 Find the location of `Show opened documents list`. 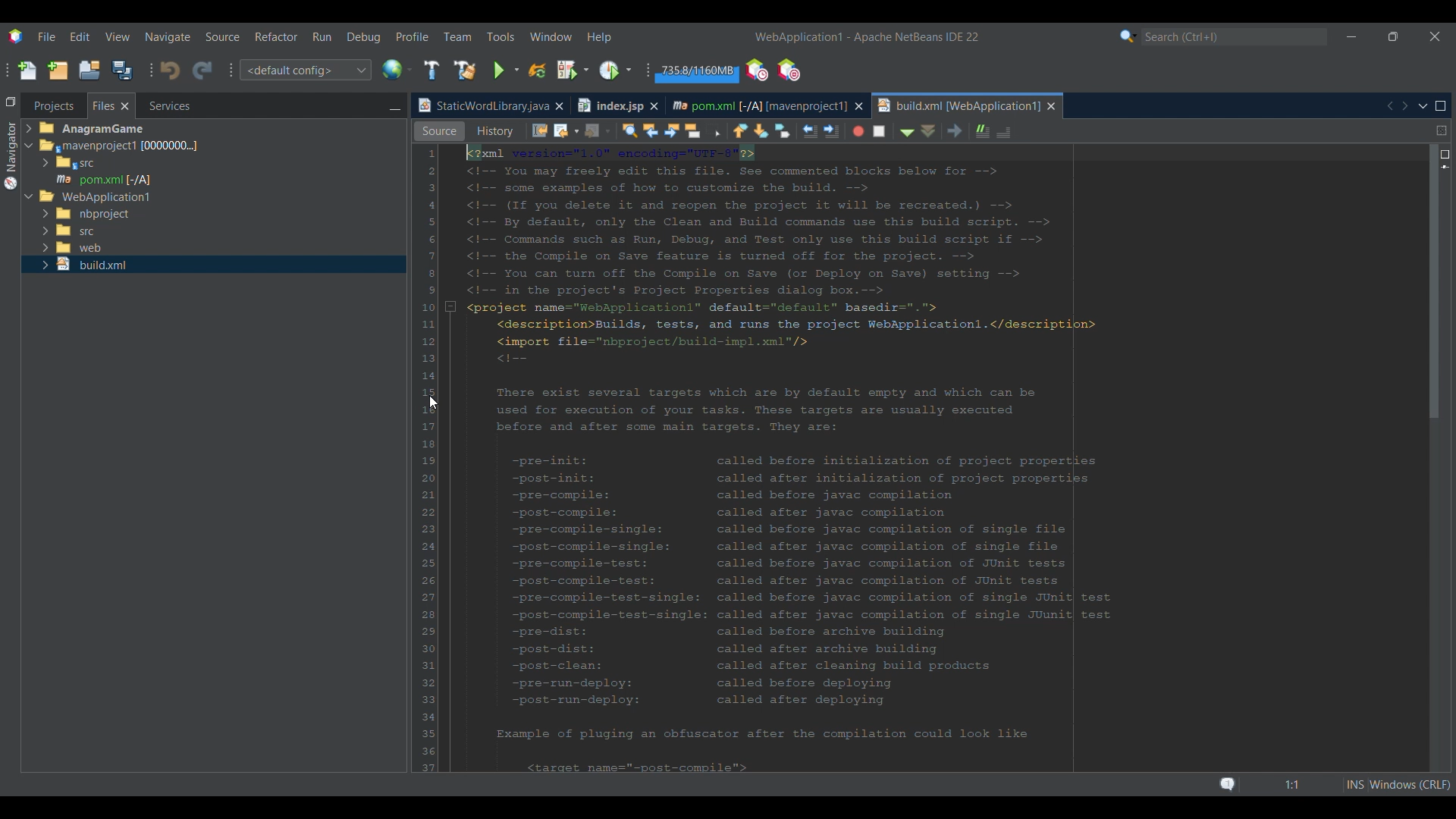

Show opened documents list is located at coordinates (1423, 107).